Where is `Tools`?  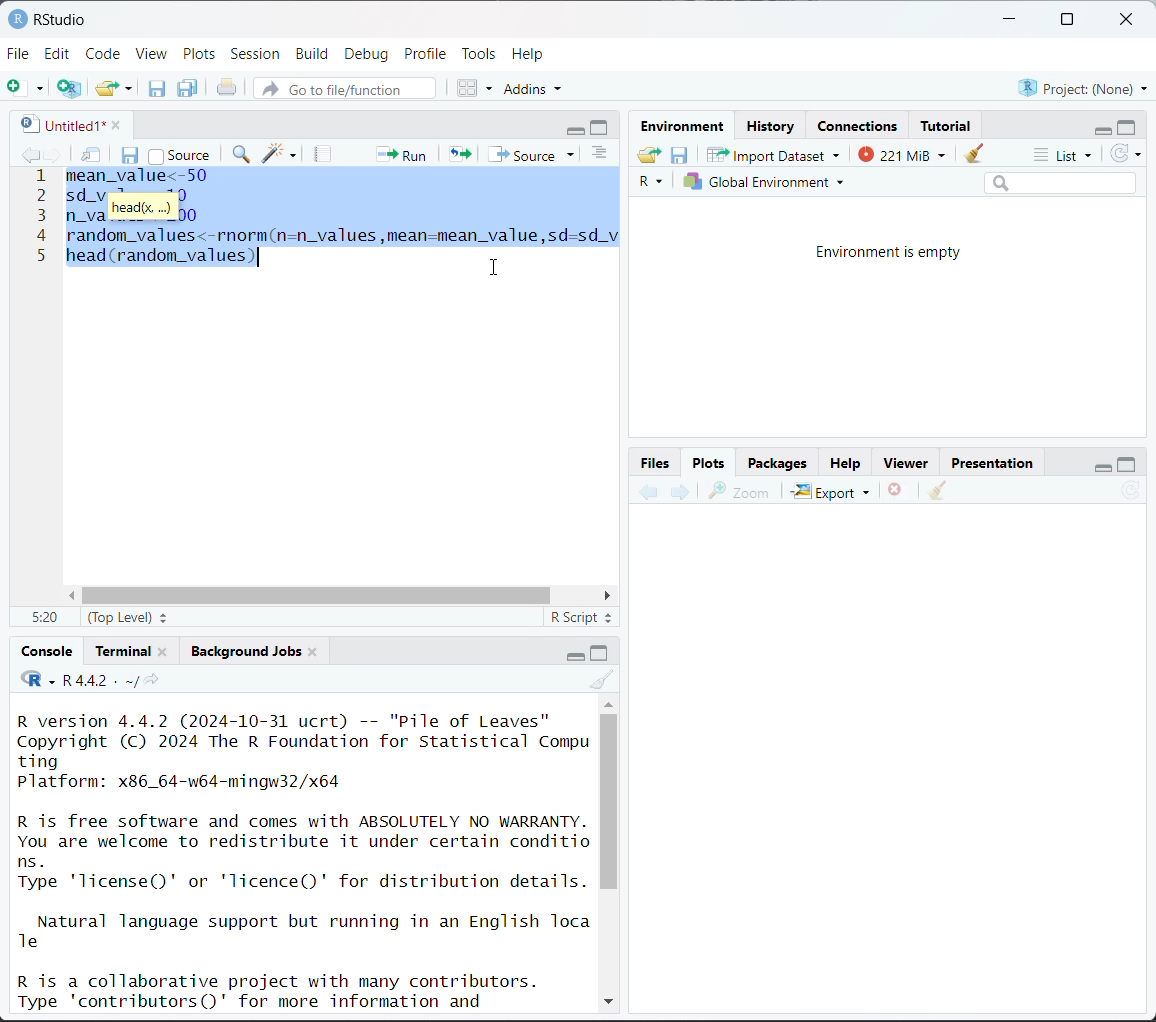
Tools is located at coordinates (479, 52).